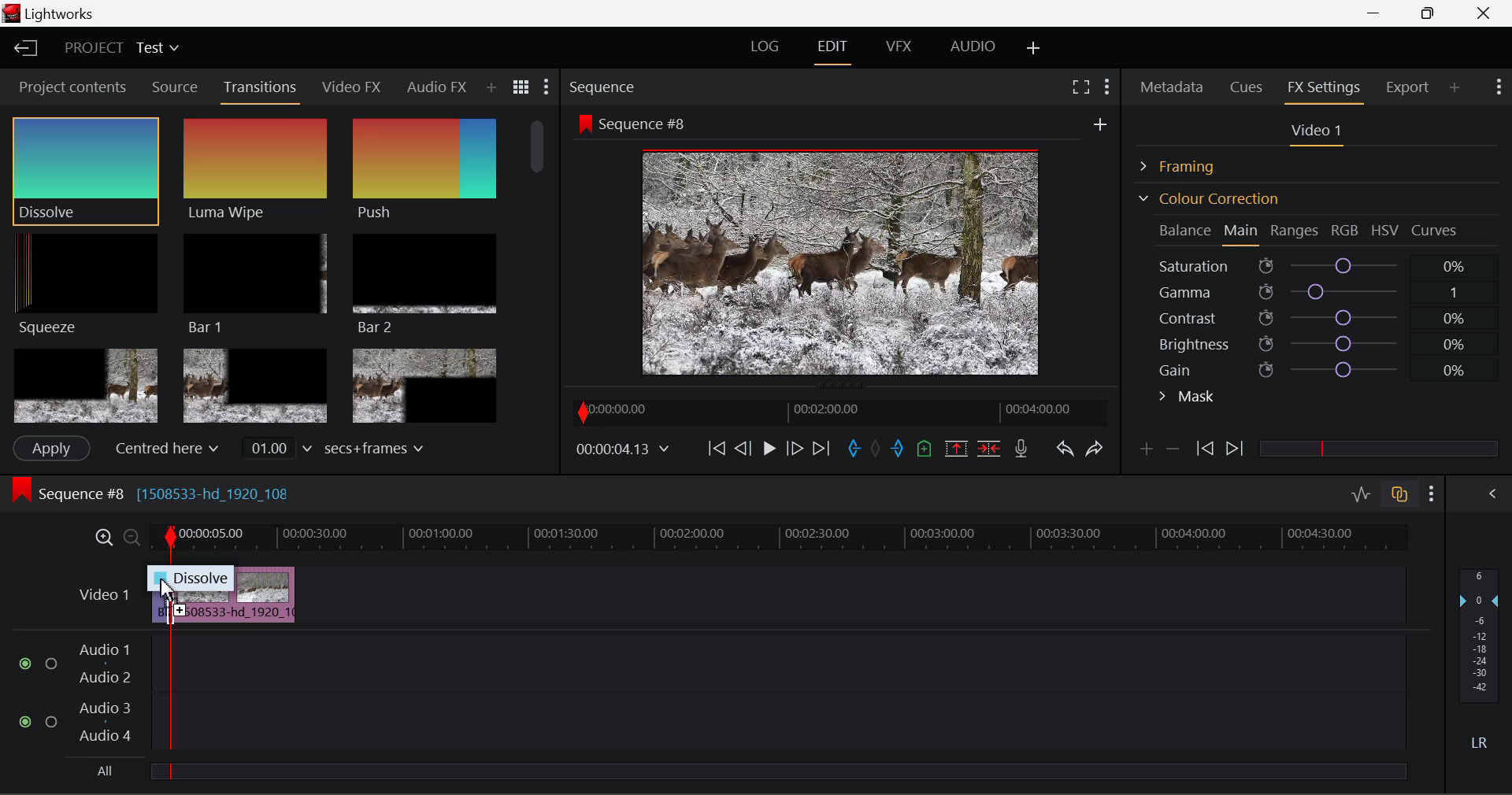 The height and width of the screenshot is (795, 1512). Describe the element at coordinates (624, 450) in the screenshot. I see `Frame Time` at that location.